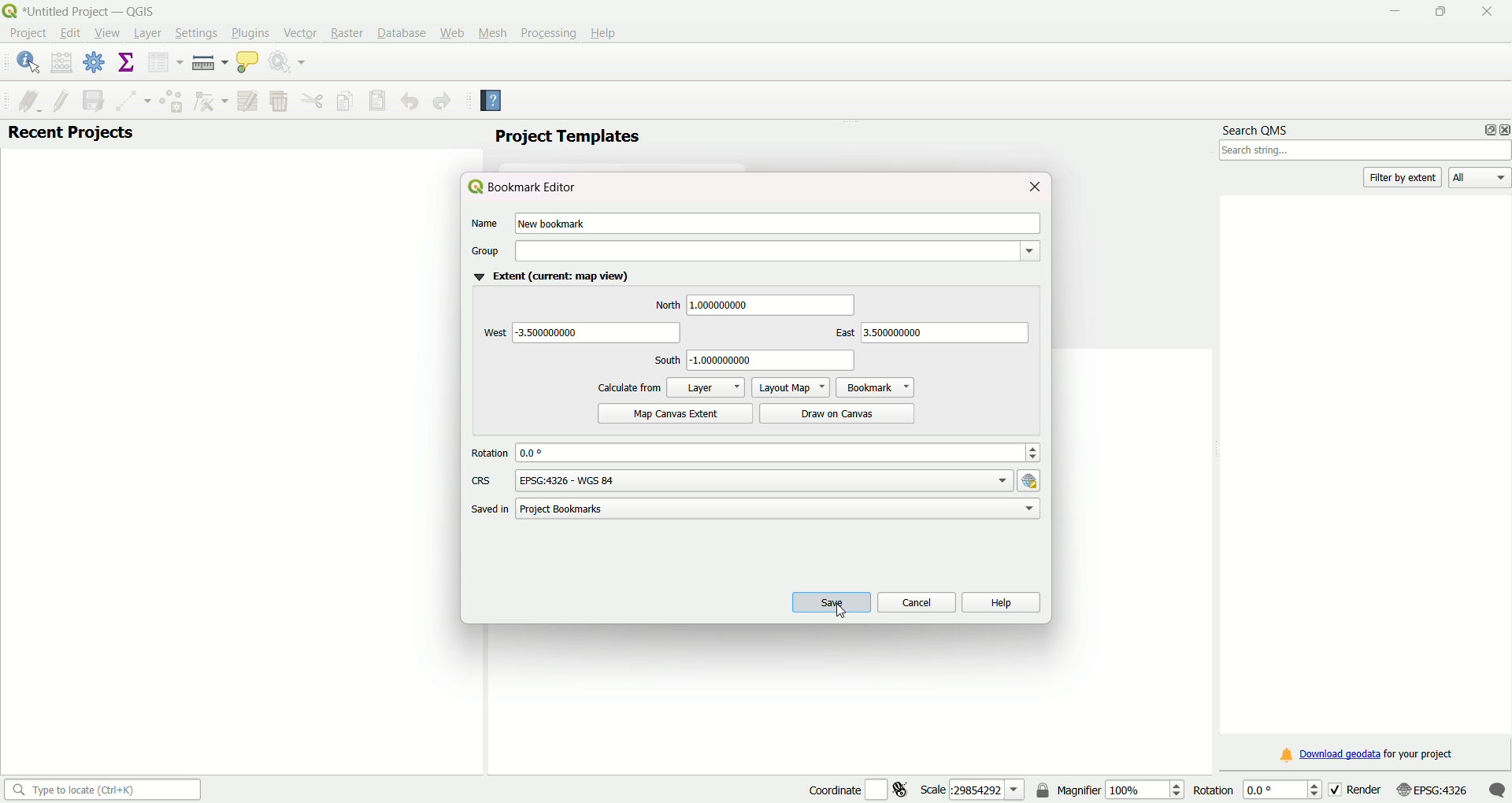 This screenshot has width=1512, height=803. Describe the element at coordinates (629, 387) in the screenshot. I see `calculate from` at that location.